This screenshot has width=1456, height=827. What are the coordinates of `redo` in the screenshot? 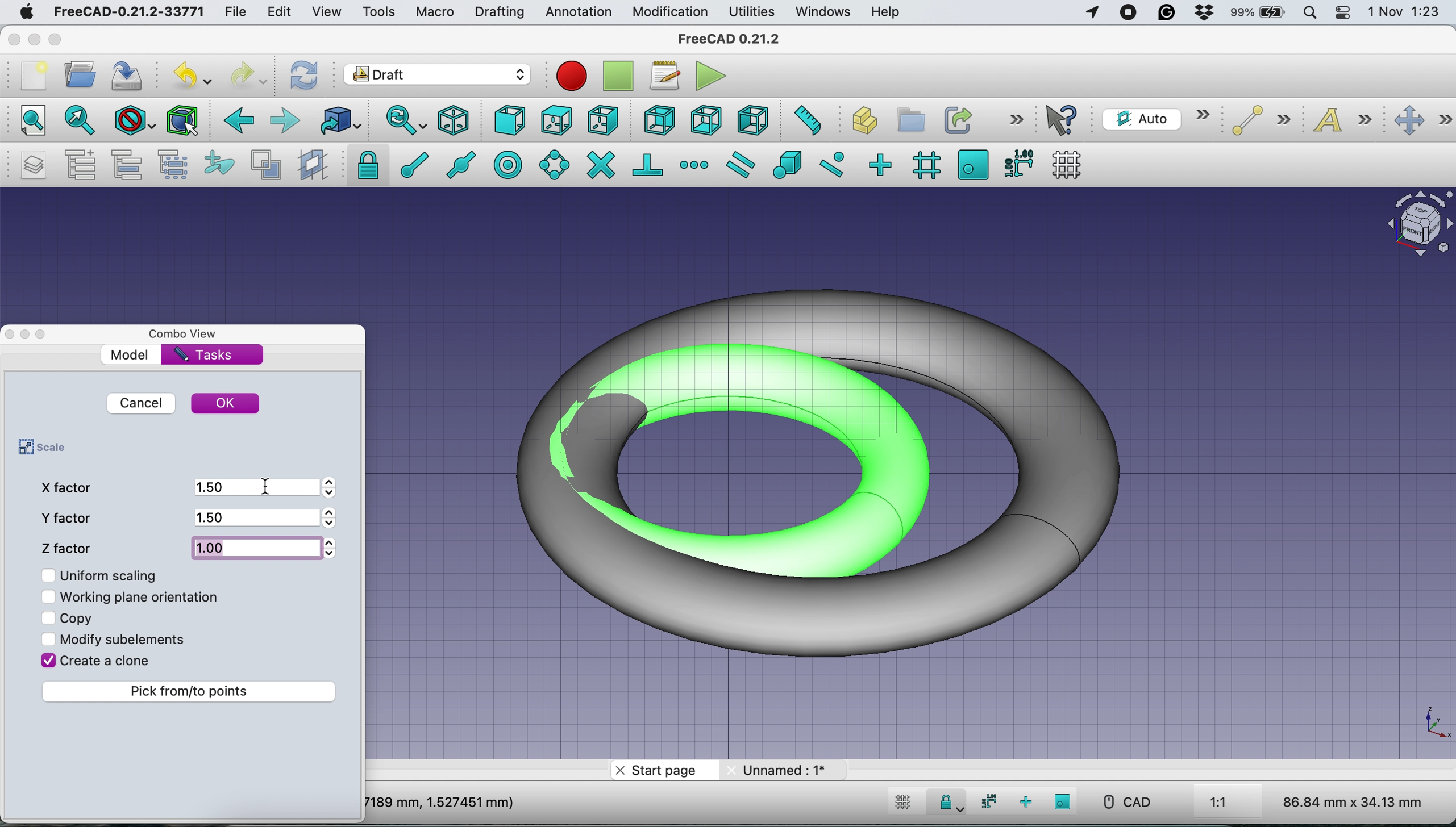 It's located at (248, 76).